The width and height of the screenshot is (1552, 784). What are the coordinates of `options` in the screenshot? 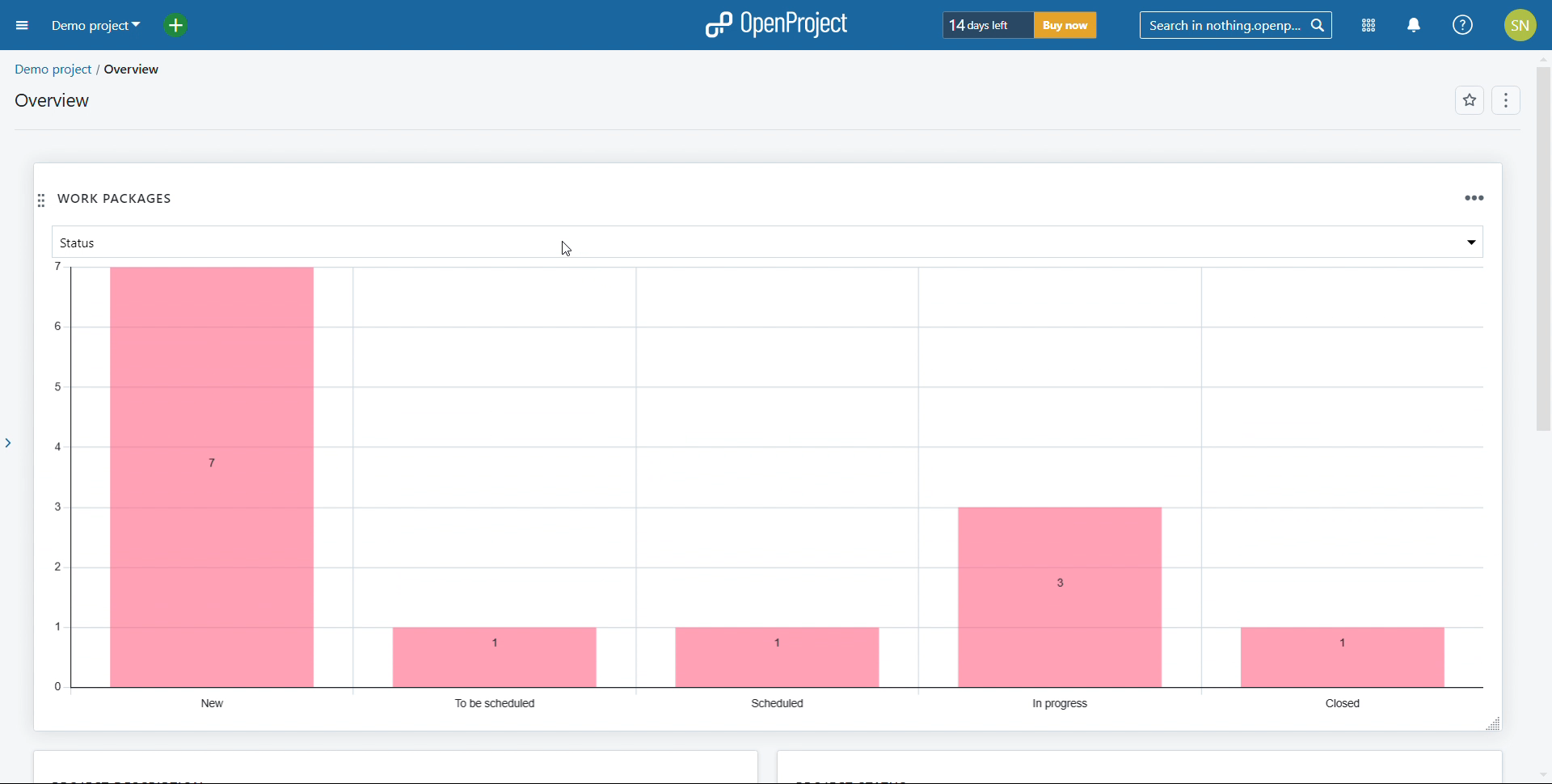 It's located at (1506, 100).